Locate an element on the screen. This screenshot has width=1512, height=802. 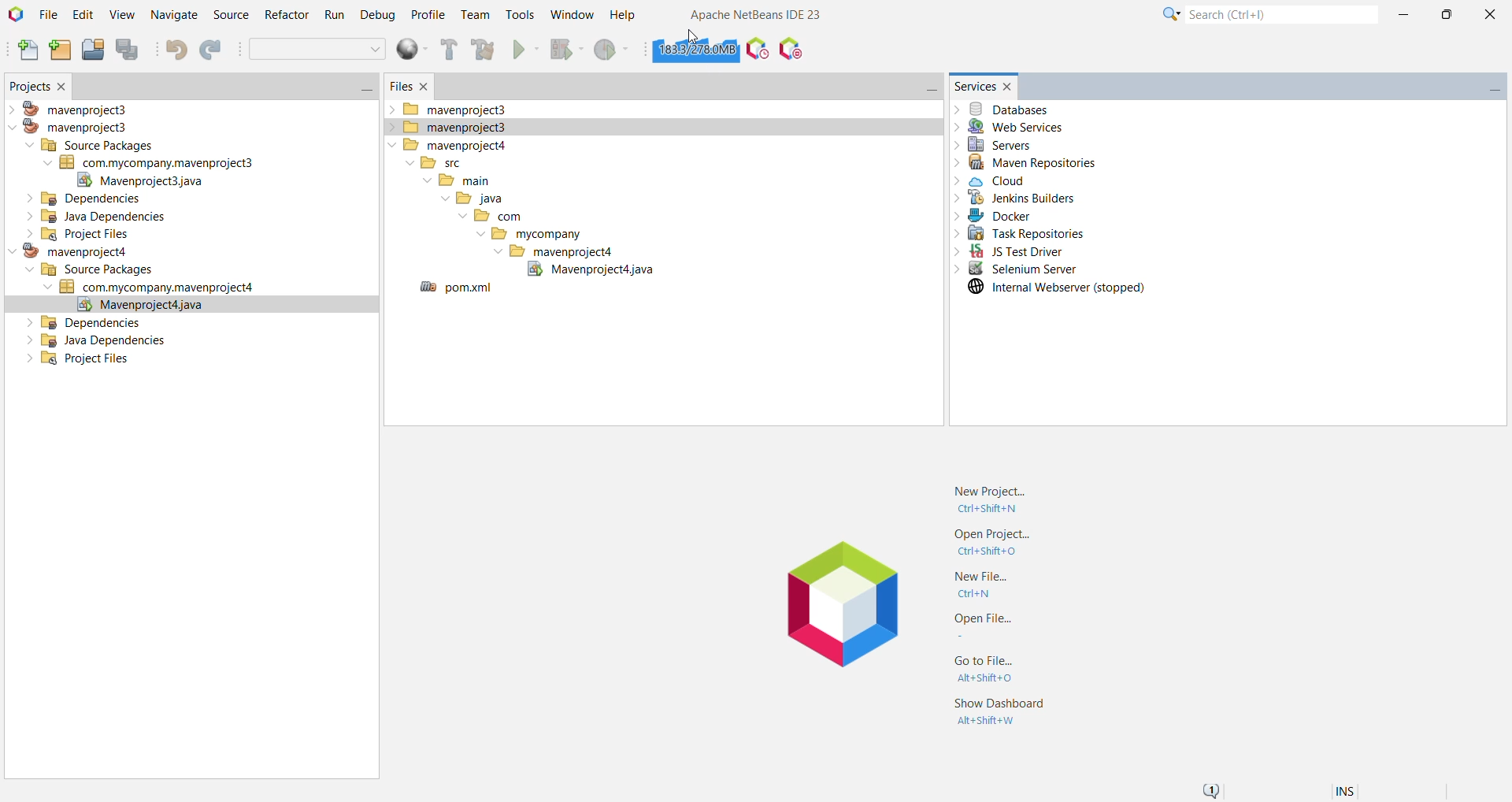
Debug Project is located at coordinates (565, 53).